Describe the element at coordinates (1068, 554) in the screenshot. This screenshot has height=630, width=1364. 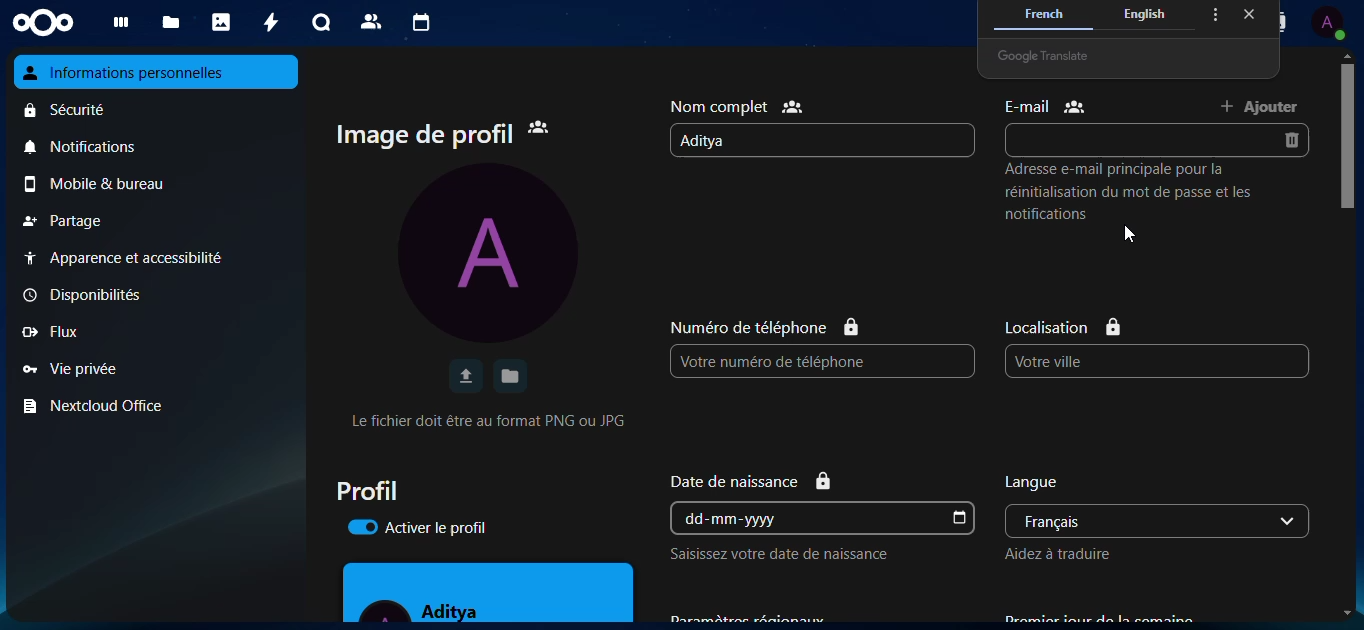
I see `Aidez a traduire` at that location.